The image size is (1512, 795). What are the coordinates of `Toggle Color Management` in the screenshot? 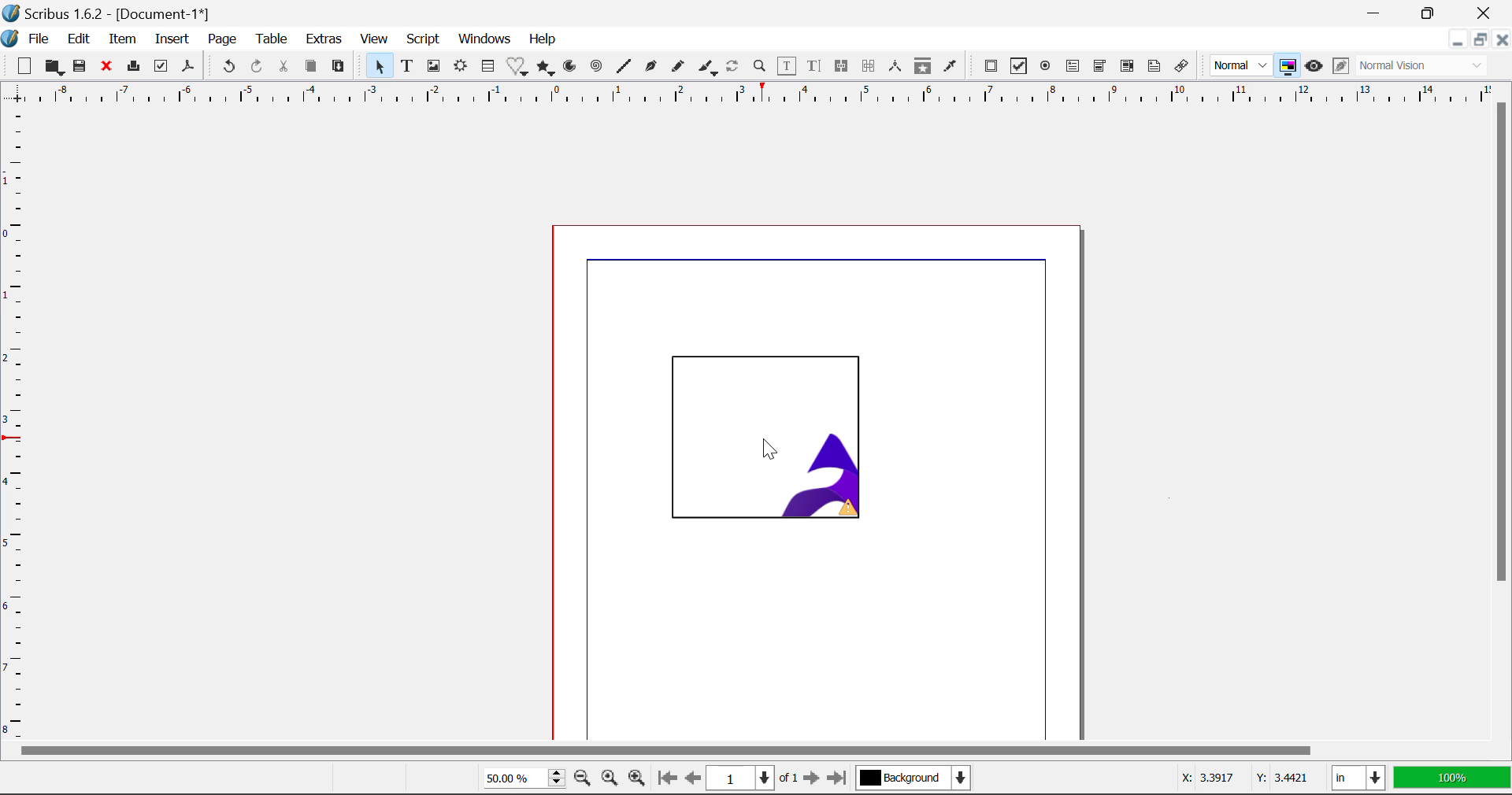 It's located at (1287, 65).